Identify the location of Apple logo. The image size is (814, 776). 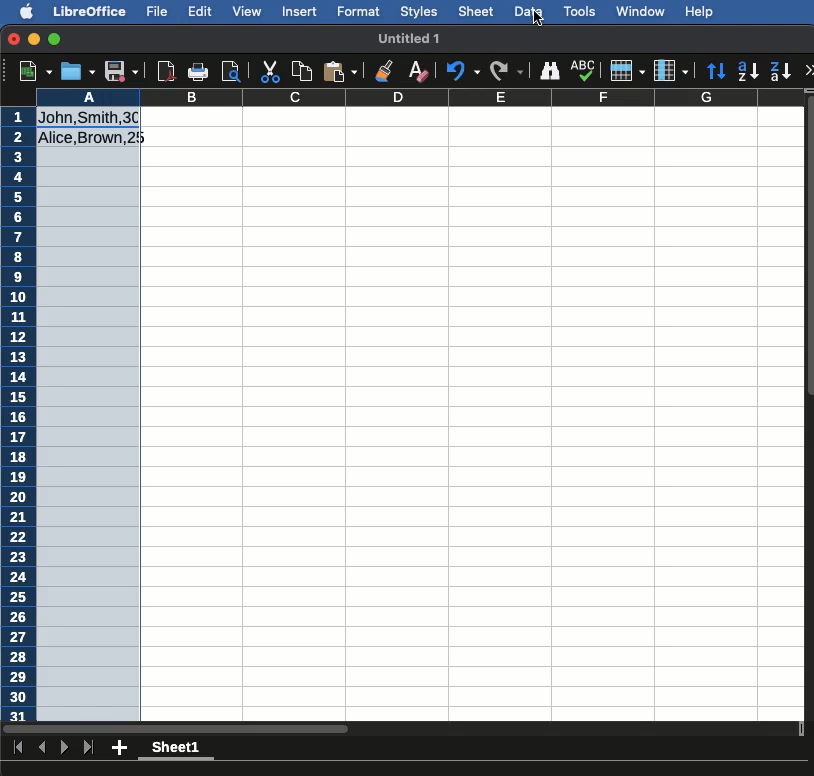
(29, 11).